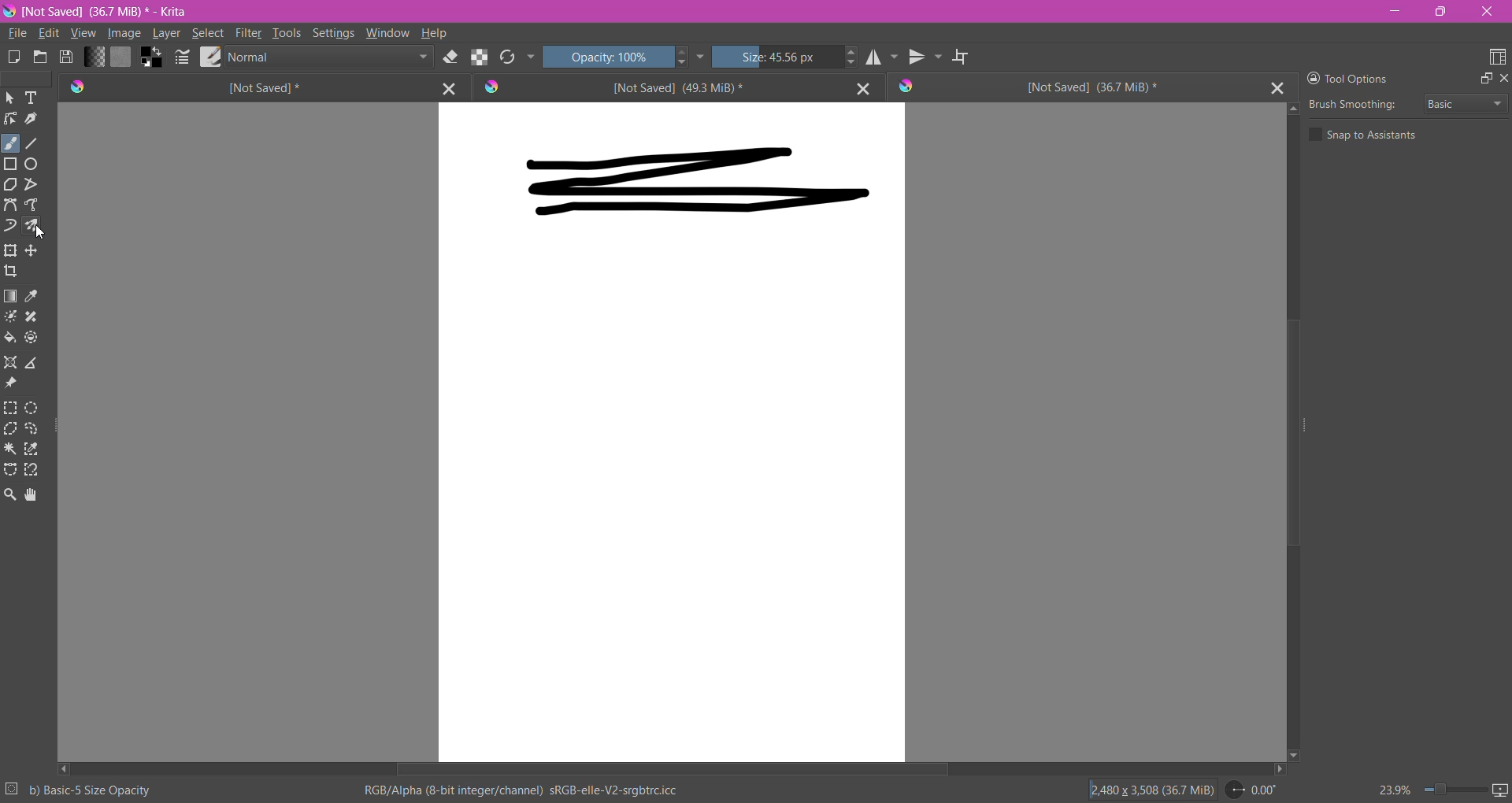  What do you see at coordinates (16, 34) in the screenshot?
I see `File` at bounding box center [16, 34].